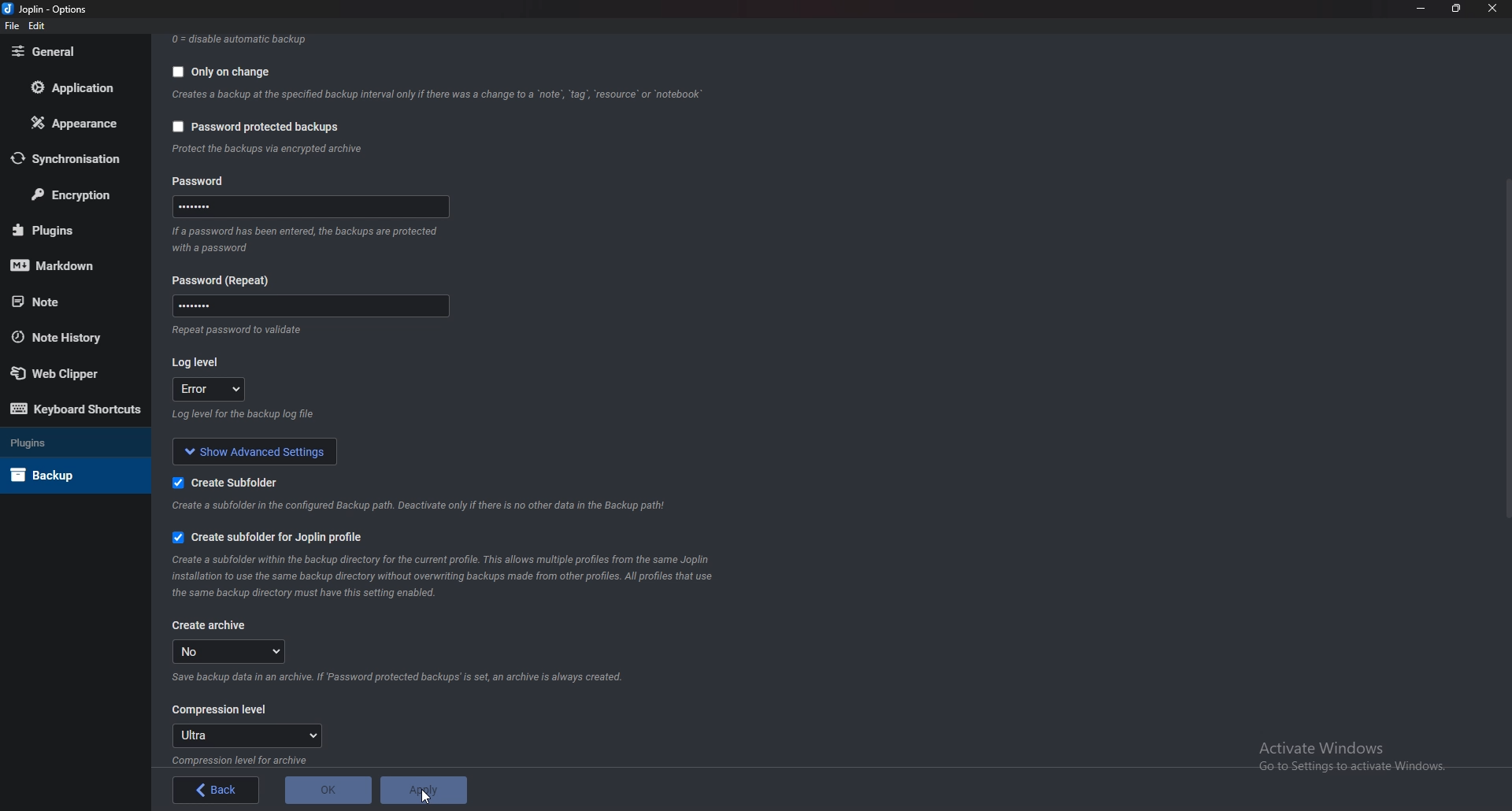 Image resolution: width=1512 pixels, height=811 pixels. Describe the element at coordinates (1506, 353) in the screenshot. I see `scroll bar` at that location.